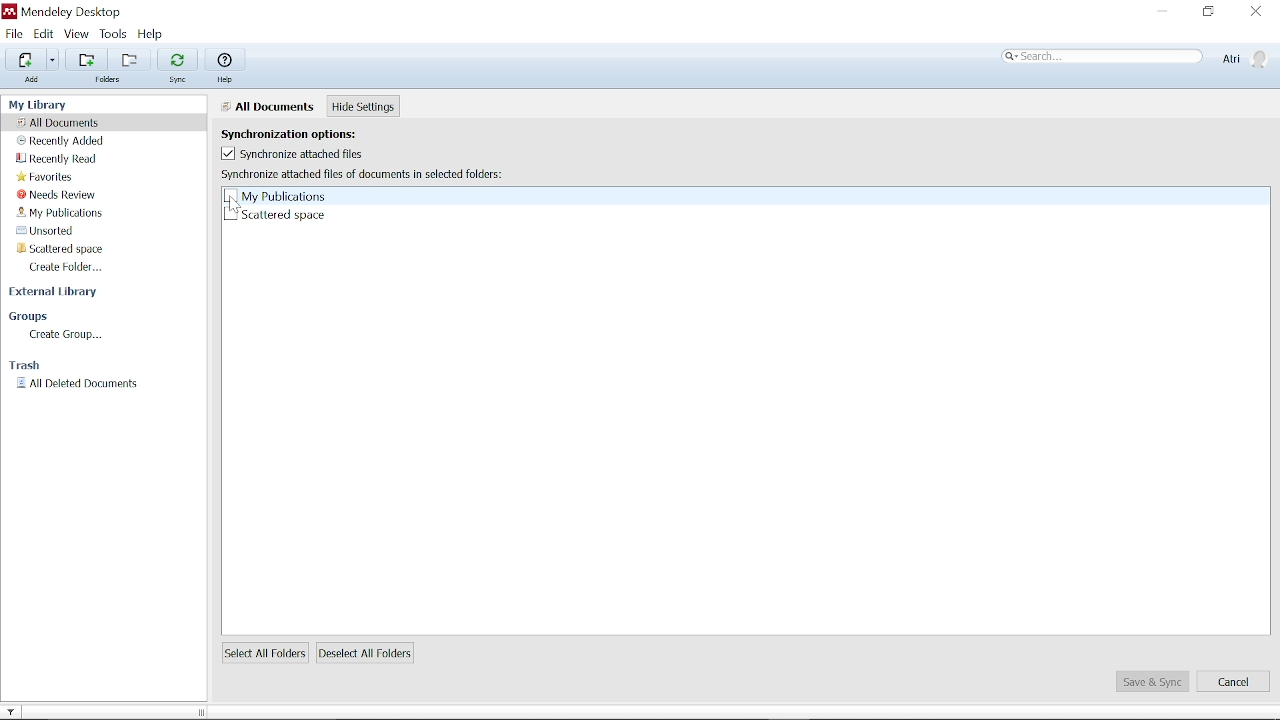 This screenshot has height=720, width=1280. Describe the element at coordinates (62, 214) in the screenshot. I see `My publication` at that location.